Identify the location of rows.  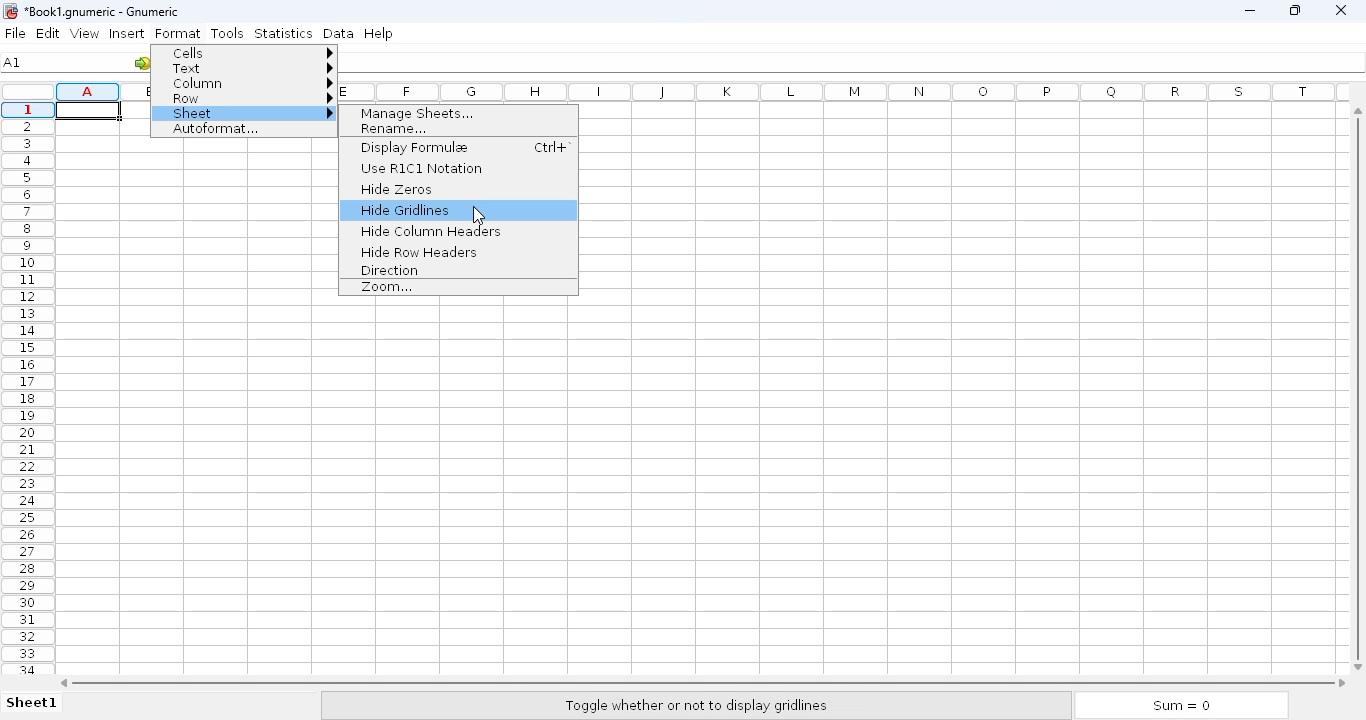
(27, 387).